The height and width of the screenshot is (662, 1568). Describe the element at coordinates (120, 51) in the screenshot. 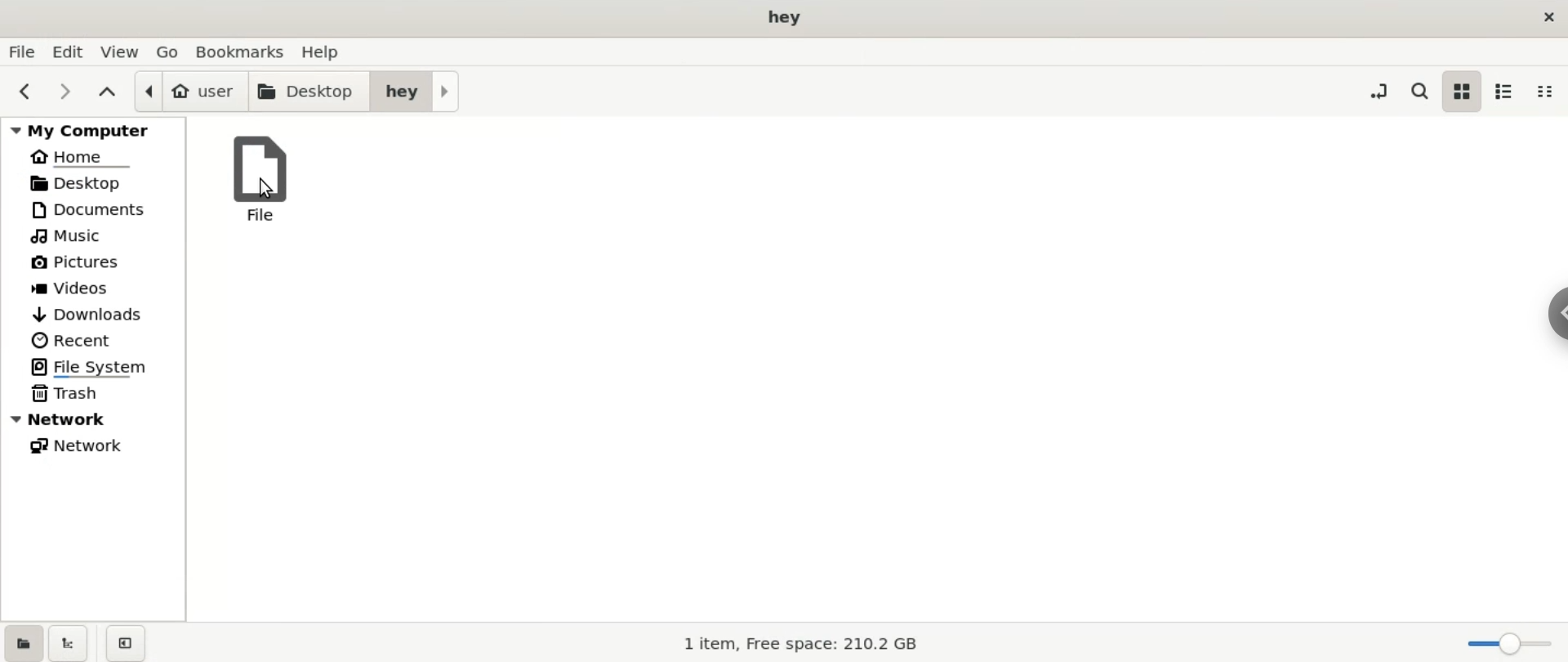

I see `view` at that location.